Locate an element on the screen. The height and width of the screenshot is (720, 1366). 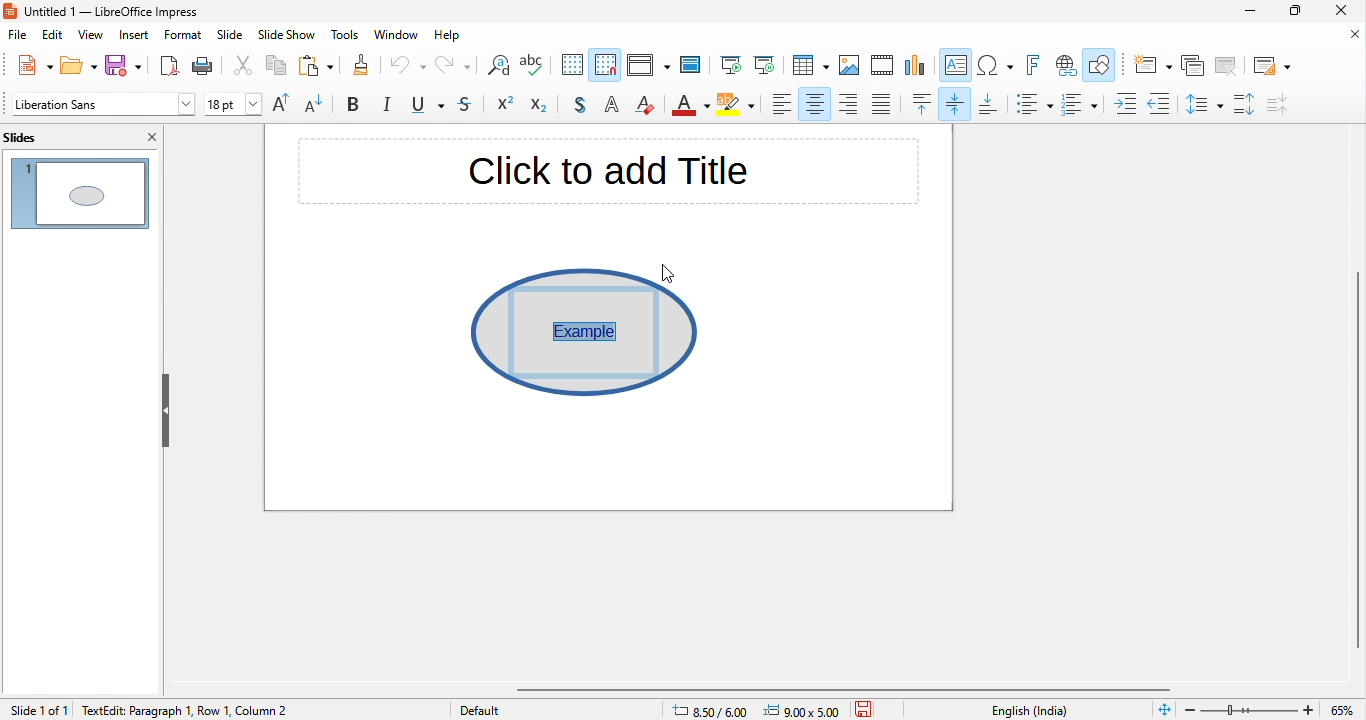
cut is located at coordinates (244, 69).